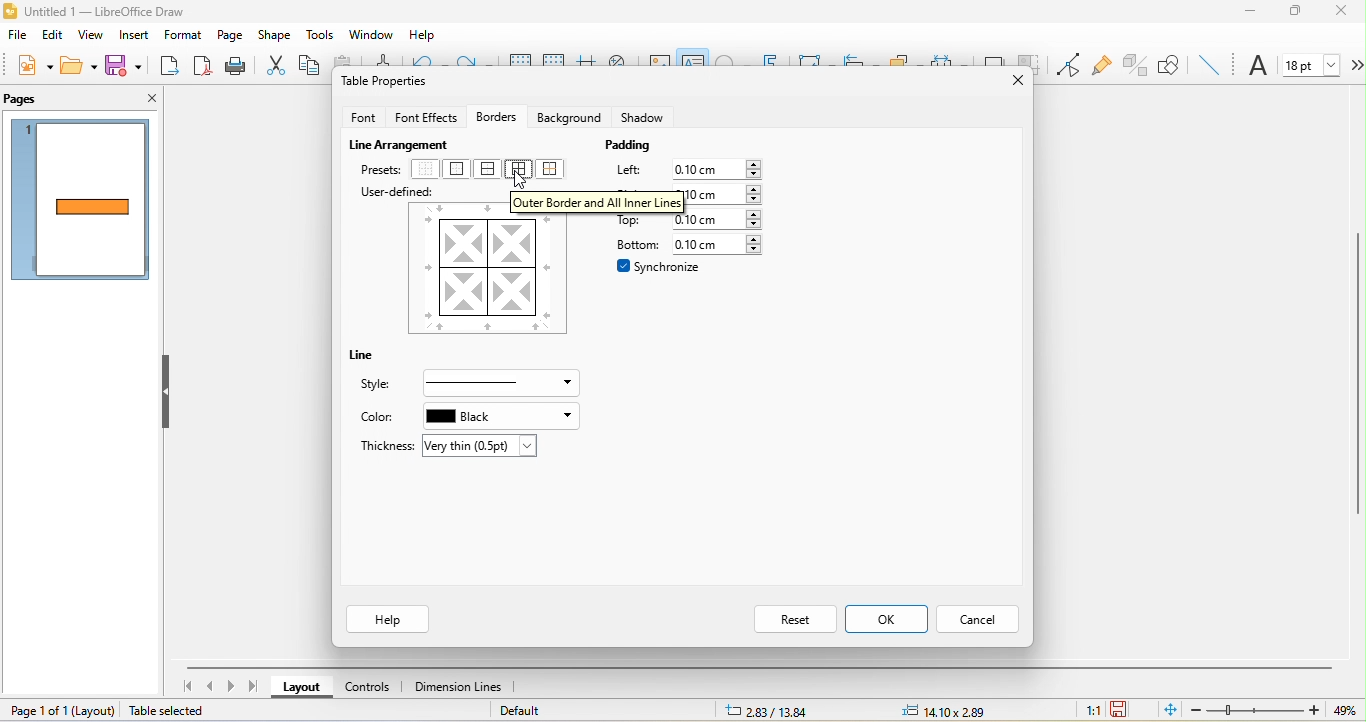 The width and height of the screenshot is (1366, 722). I want to click on cancel, so click(980, 619).